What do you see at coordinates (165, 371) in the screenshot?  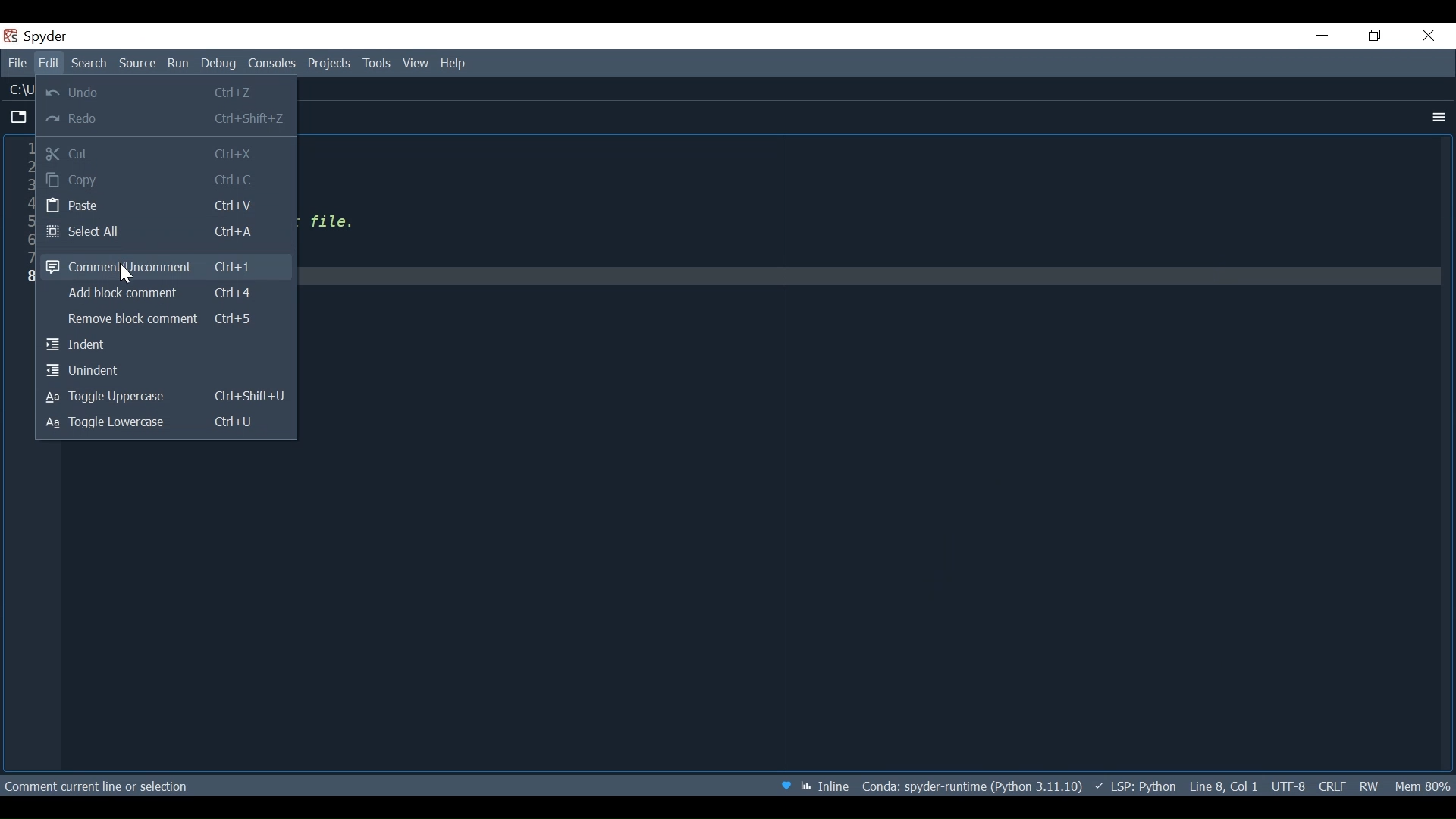 I see `Unindent` at bounding box center [165, 371].